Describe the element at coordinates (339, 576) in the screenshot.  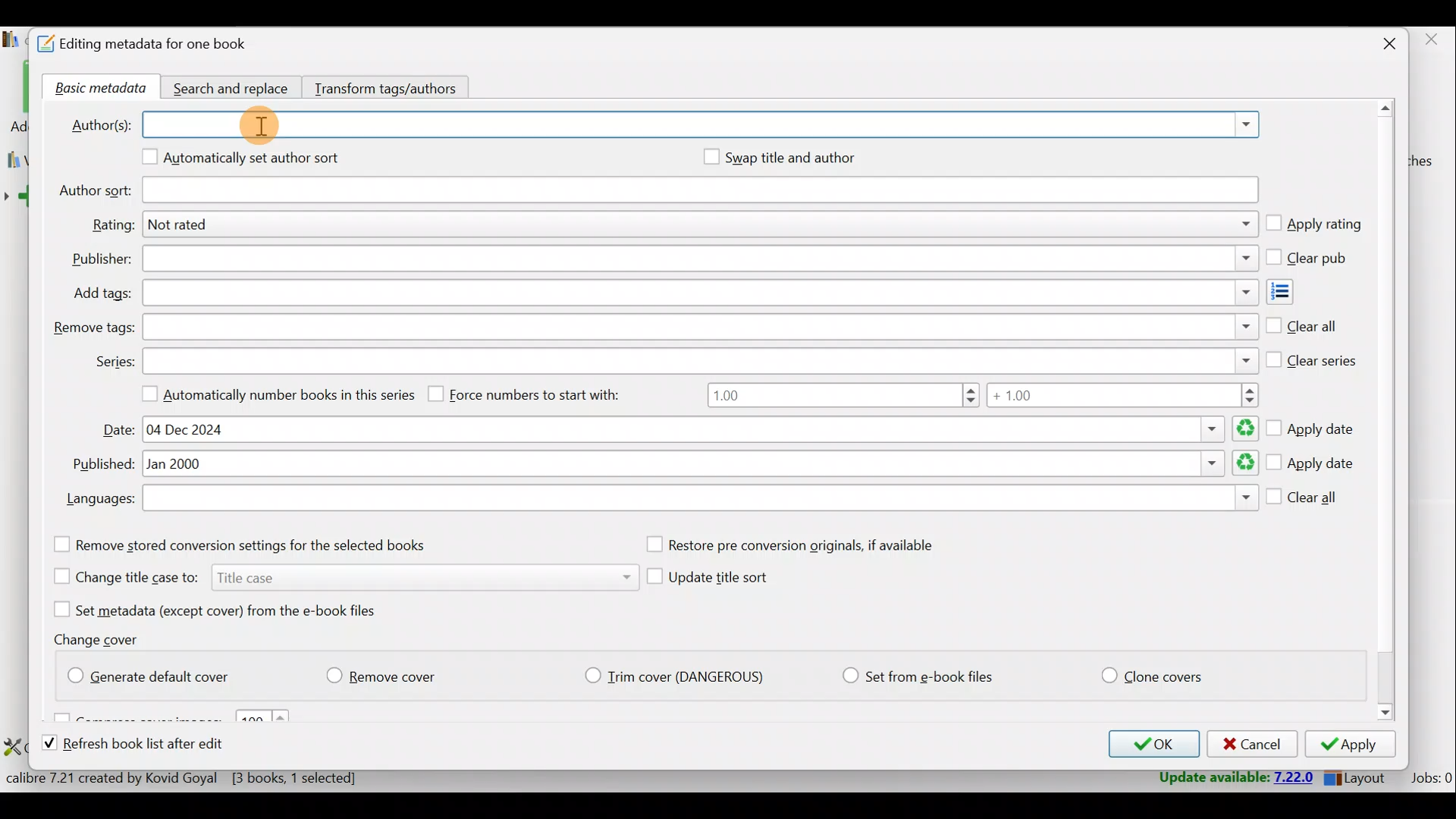
I see `Change title case to` at that location.